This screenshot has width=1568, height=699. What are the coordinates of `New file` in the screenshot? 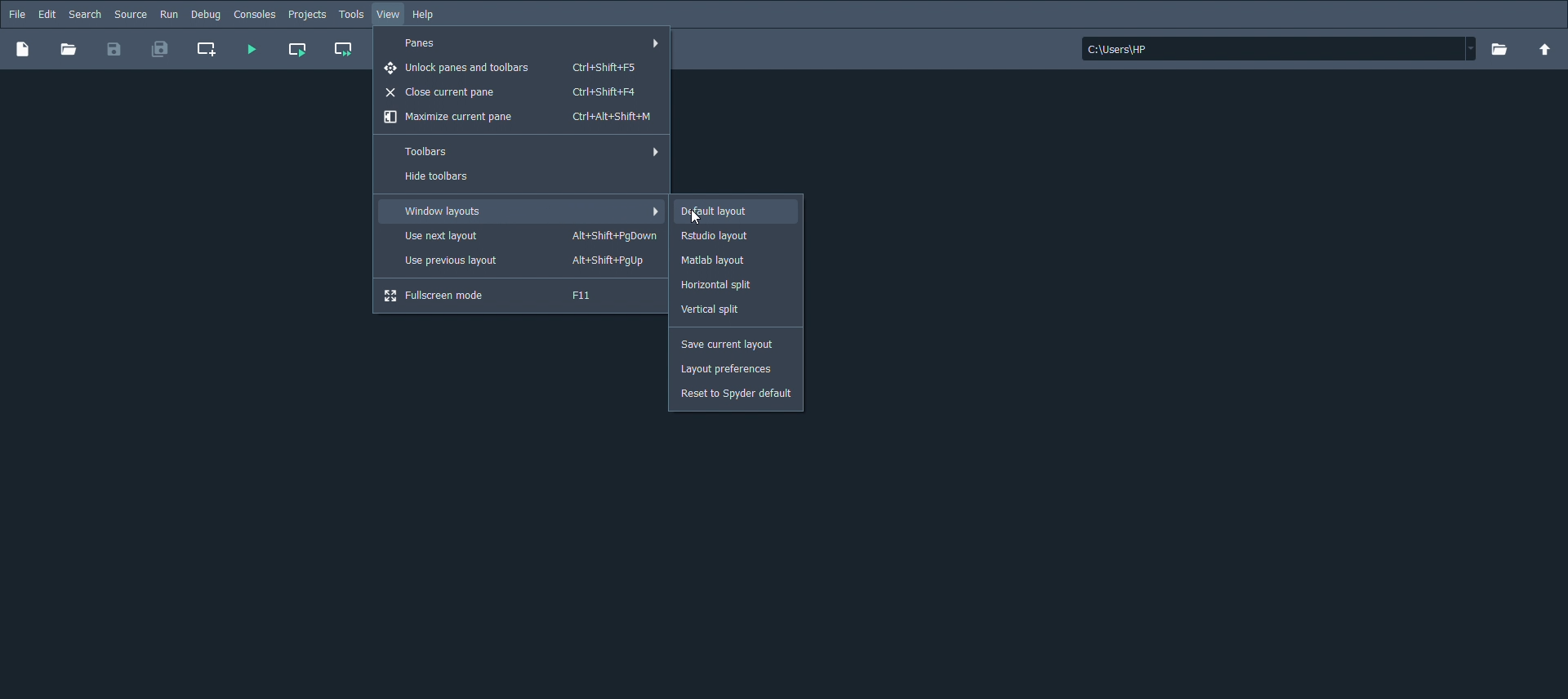 It's located at (22, 50).